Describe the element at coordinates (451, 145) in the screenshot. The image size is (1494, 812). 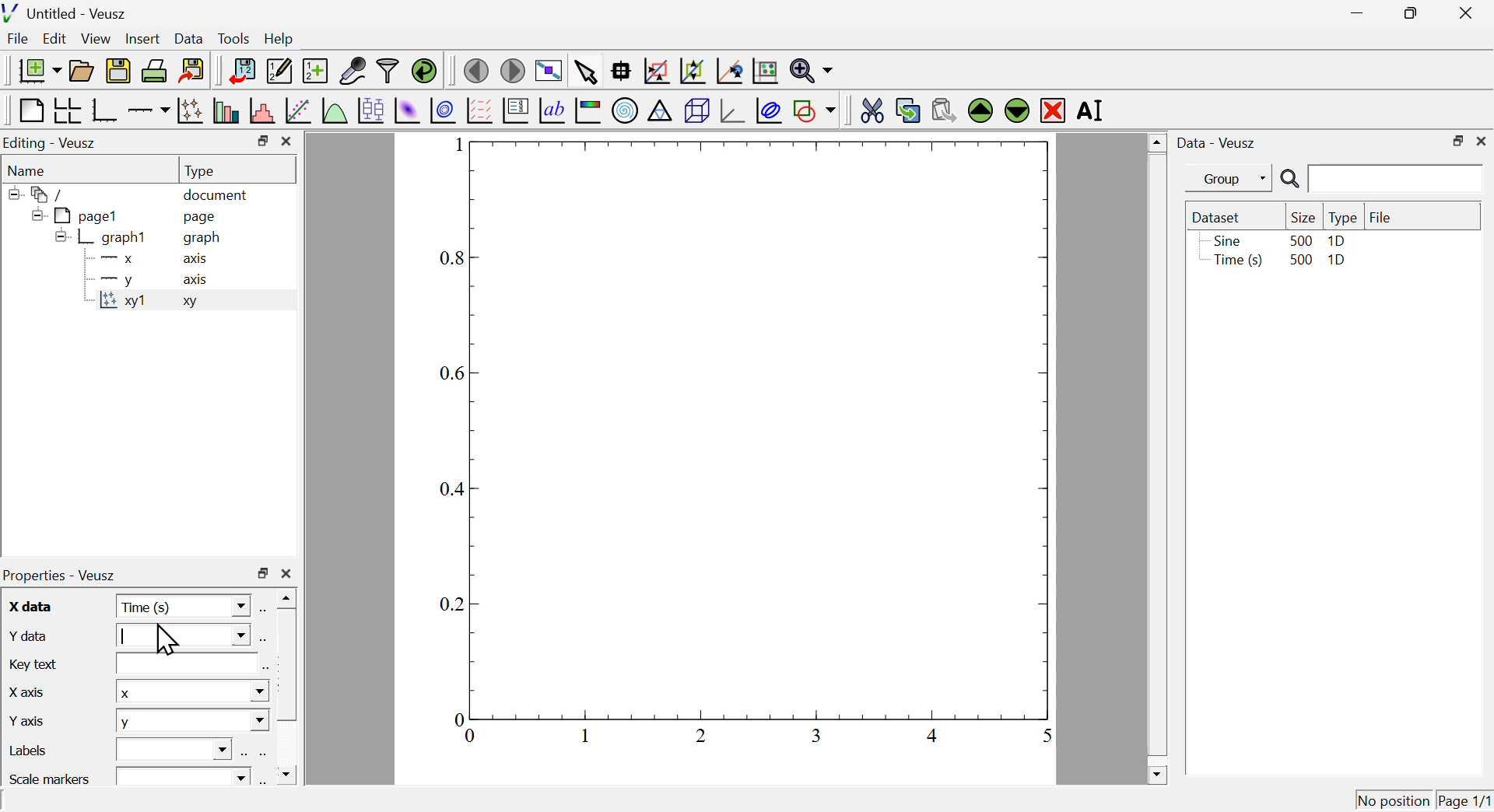
I see `1` at that location.